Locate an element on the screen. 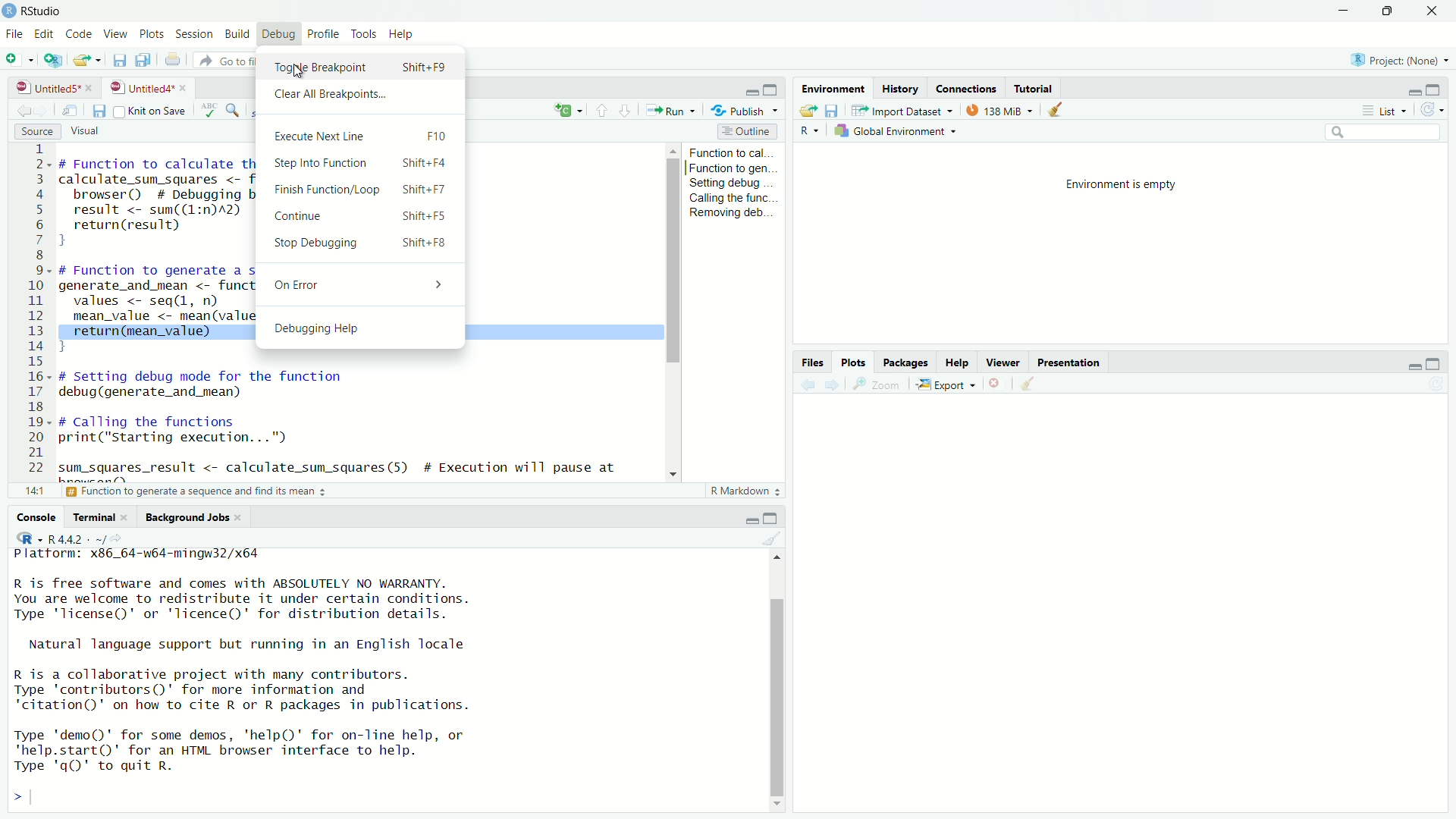  maximize is located at coordinates (773, 516).